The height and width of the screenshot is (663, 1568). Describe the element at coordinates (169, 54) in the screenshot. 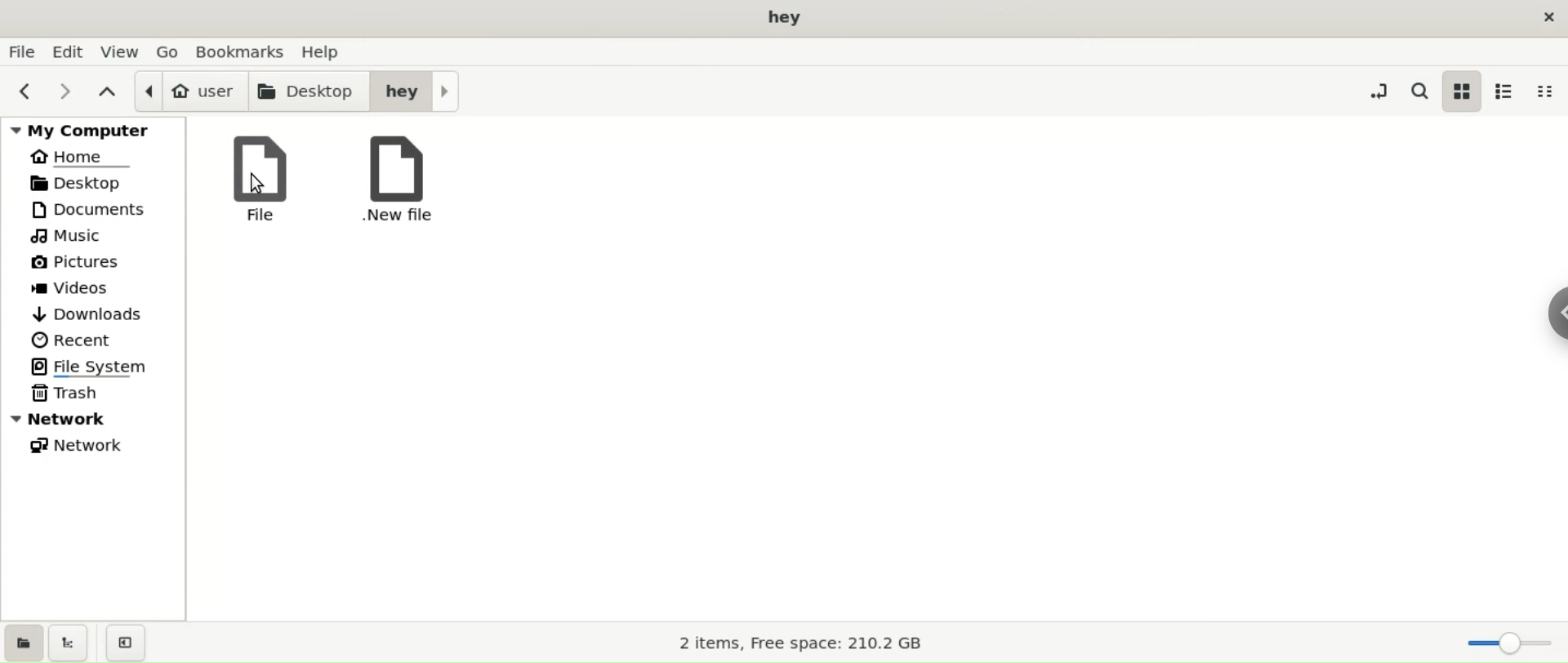

I see `go` at that location.